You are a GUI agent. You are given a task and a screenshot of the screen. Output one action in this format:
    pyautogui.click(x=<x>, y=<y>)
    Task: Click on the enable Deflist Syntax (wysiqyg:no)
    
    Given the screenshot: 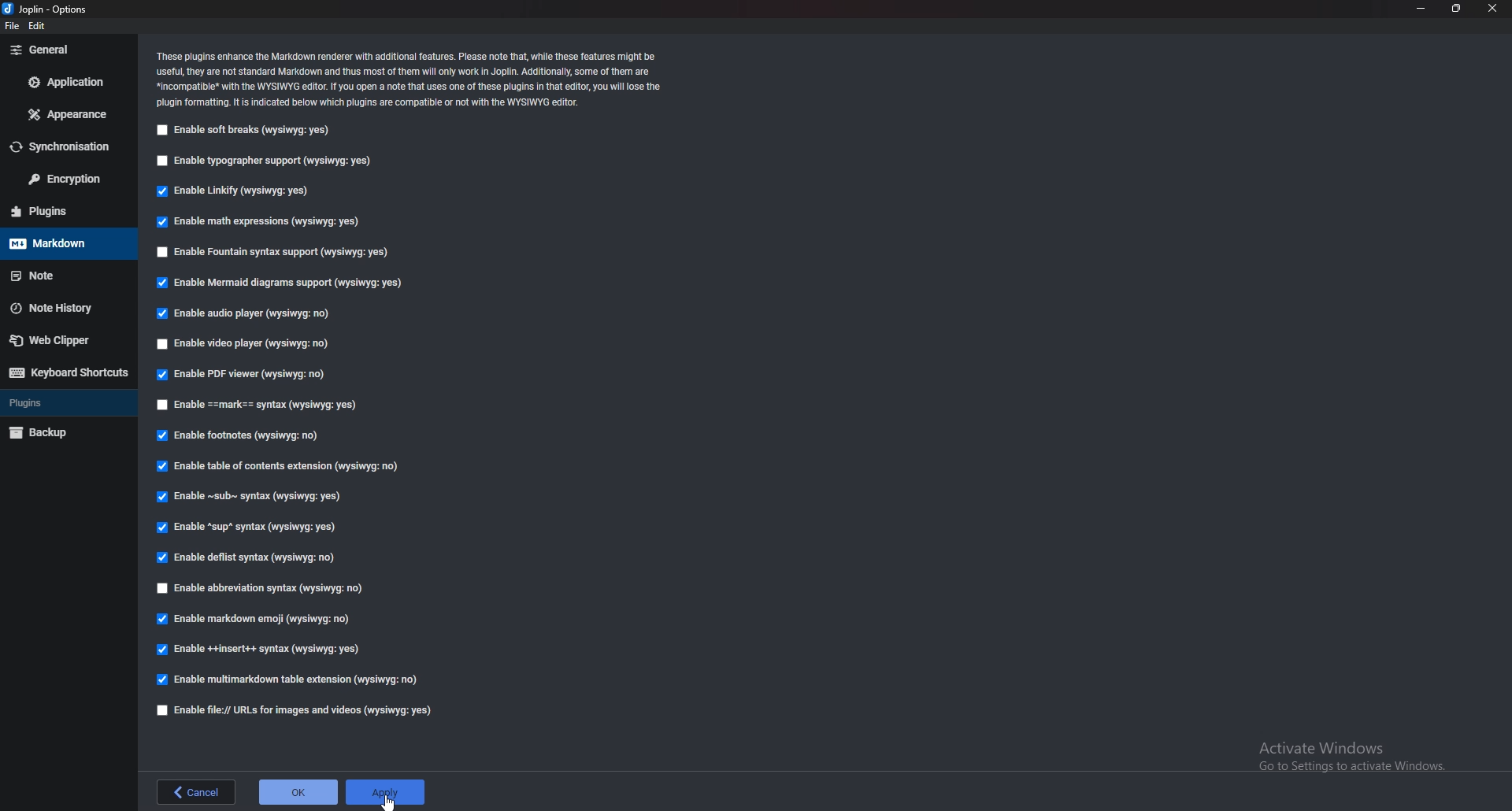 What is the action you would take?
    pyautogui.click(x=250, y=558)
    